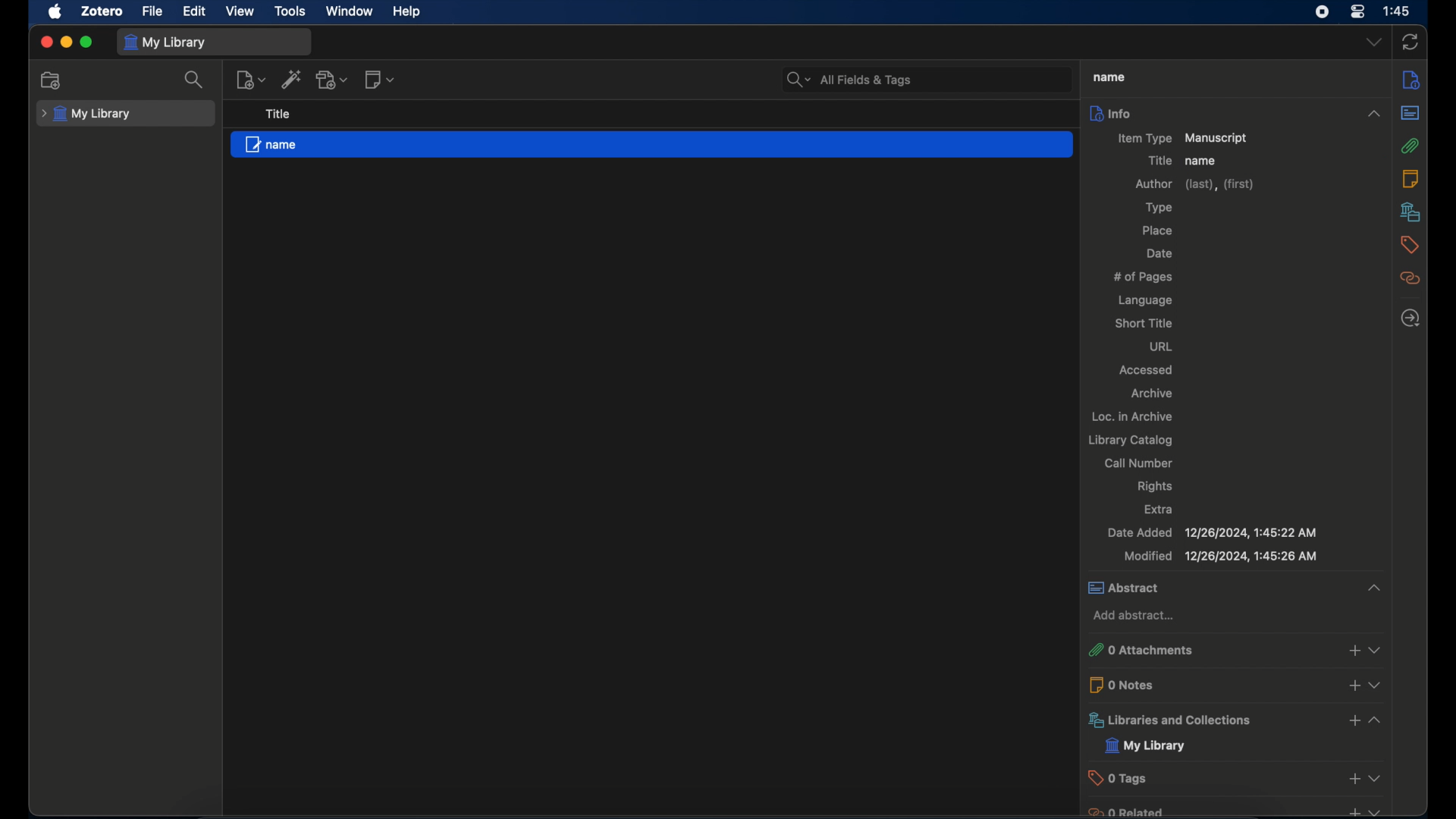 The height and width of the screenshot is (819, 1456). Describe the element at coordinates (103, 11) in the screenshot. I see `zotero` at that location.